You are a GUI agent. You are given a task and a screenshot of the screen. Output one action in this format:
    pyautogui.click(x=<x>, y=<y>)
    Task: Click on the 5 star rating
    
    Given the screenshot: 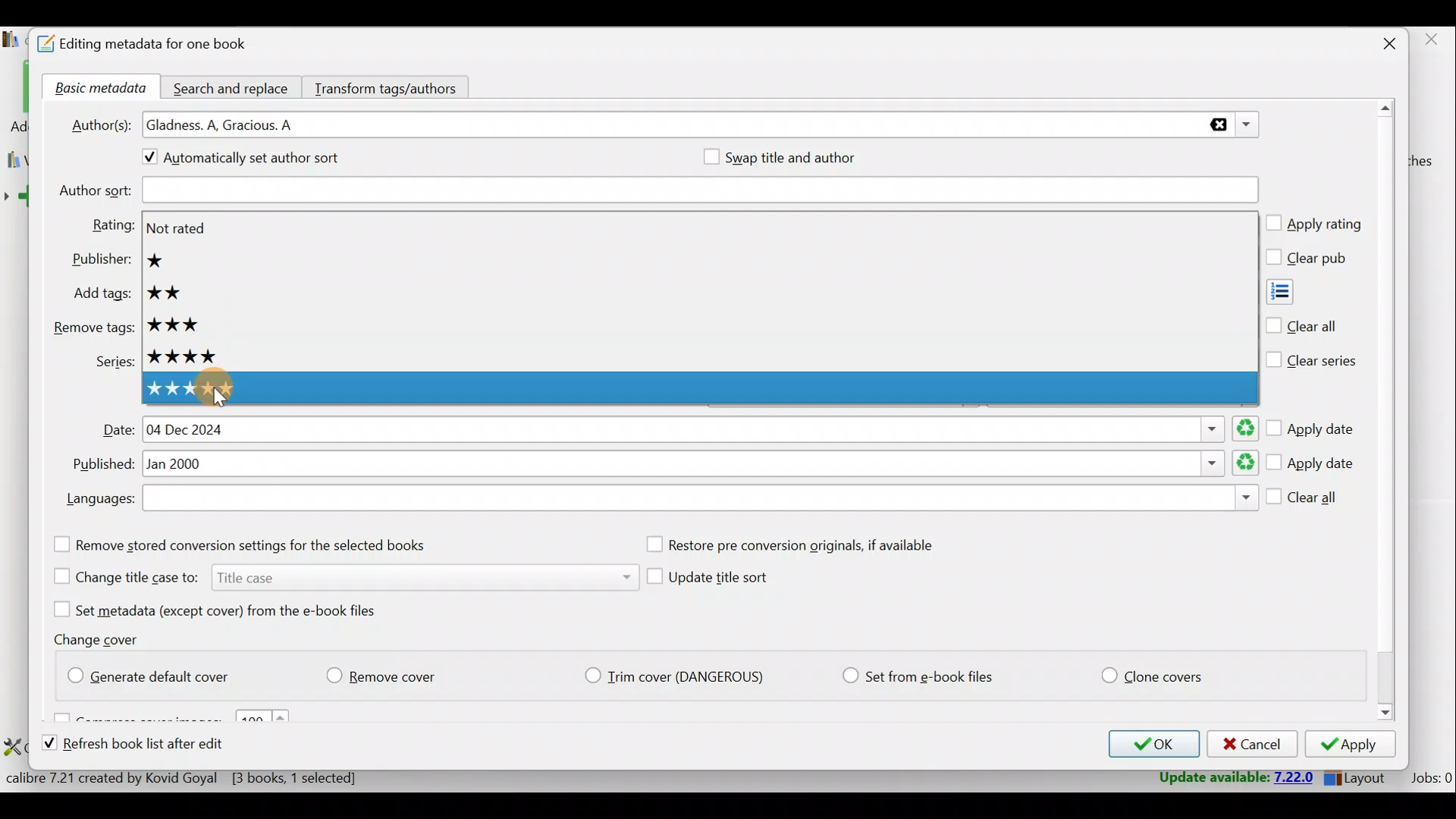 What is the action you would take?
    pyautogui.click(x=206, y=388)
    